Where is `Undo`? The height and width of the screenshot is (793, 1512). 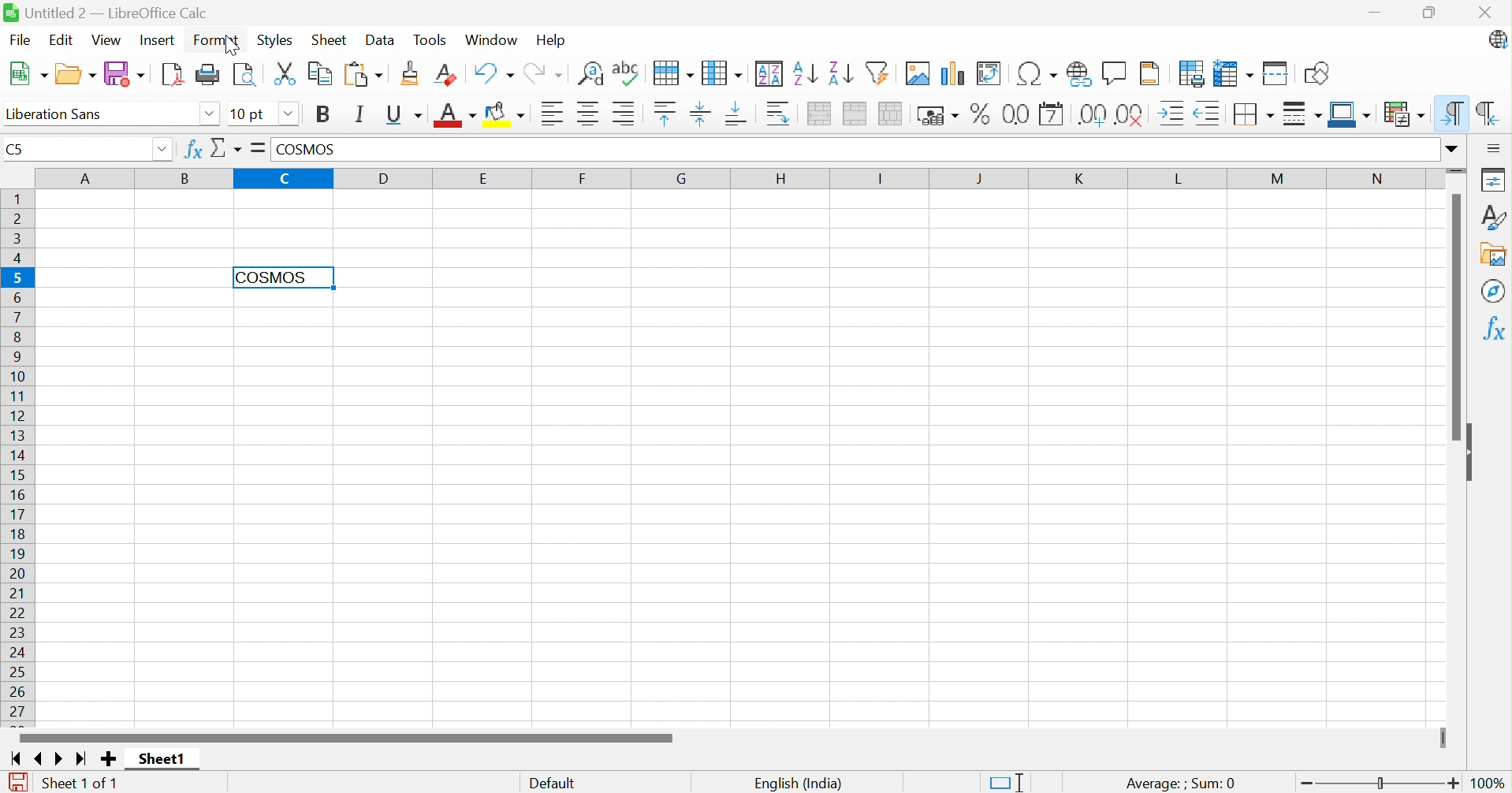 Undo is located at coordinates (495, 73).